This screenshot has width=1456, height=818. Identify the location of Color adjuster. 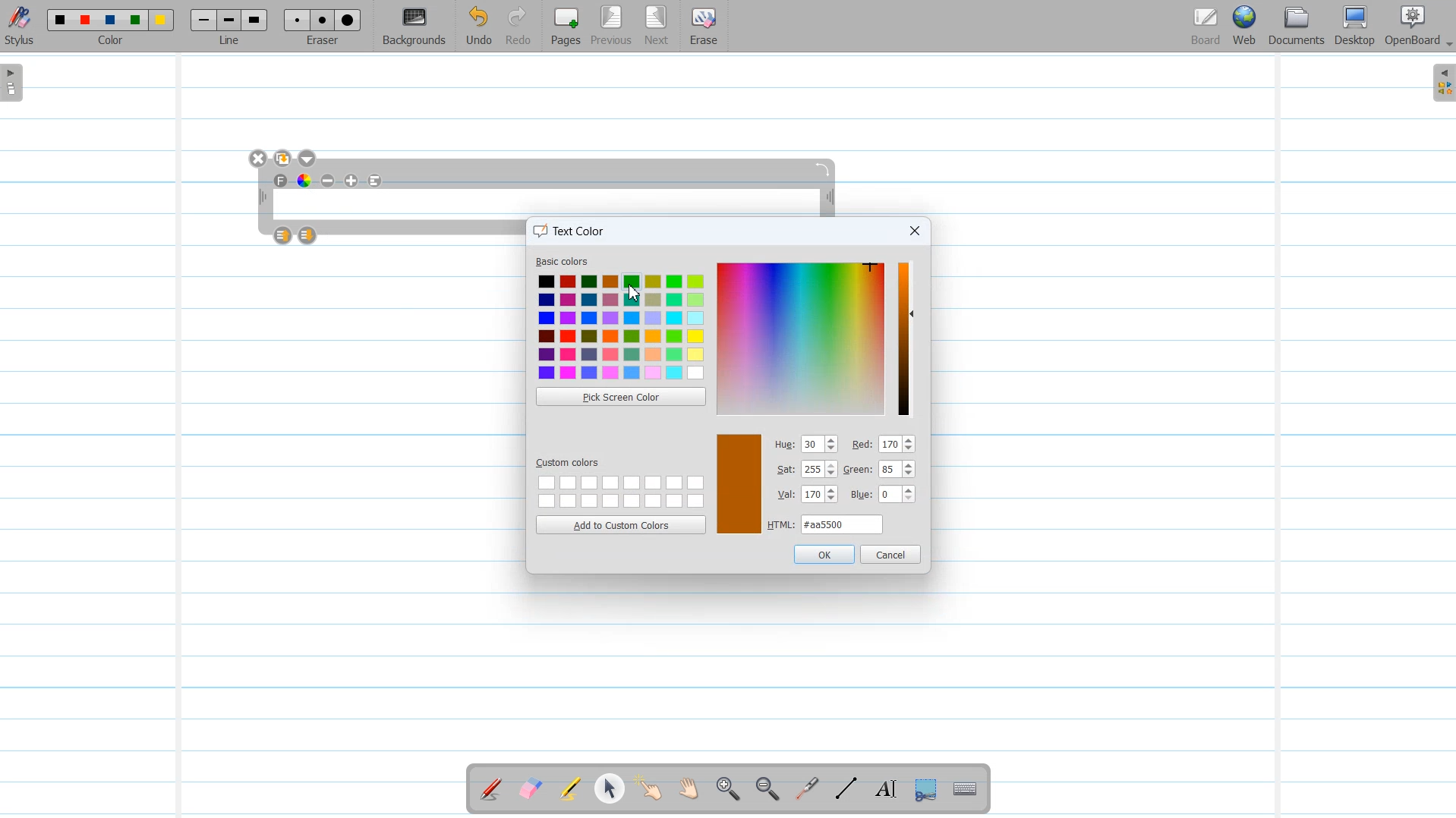
(883, 470).